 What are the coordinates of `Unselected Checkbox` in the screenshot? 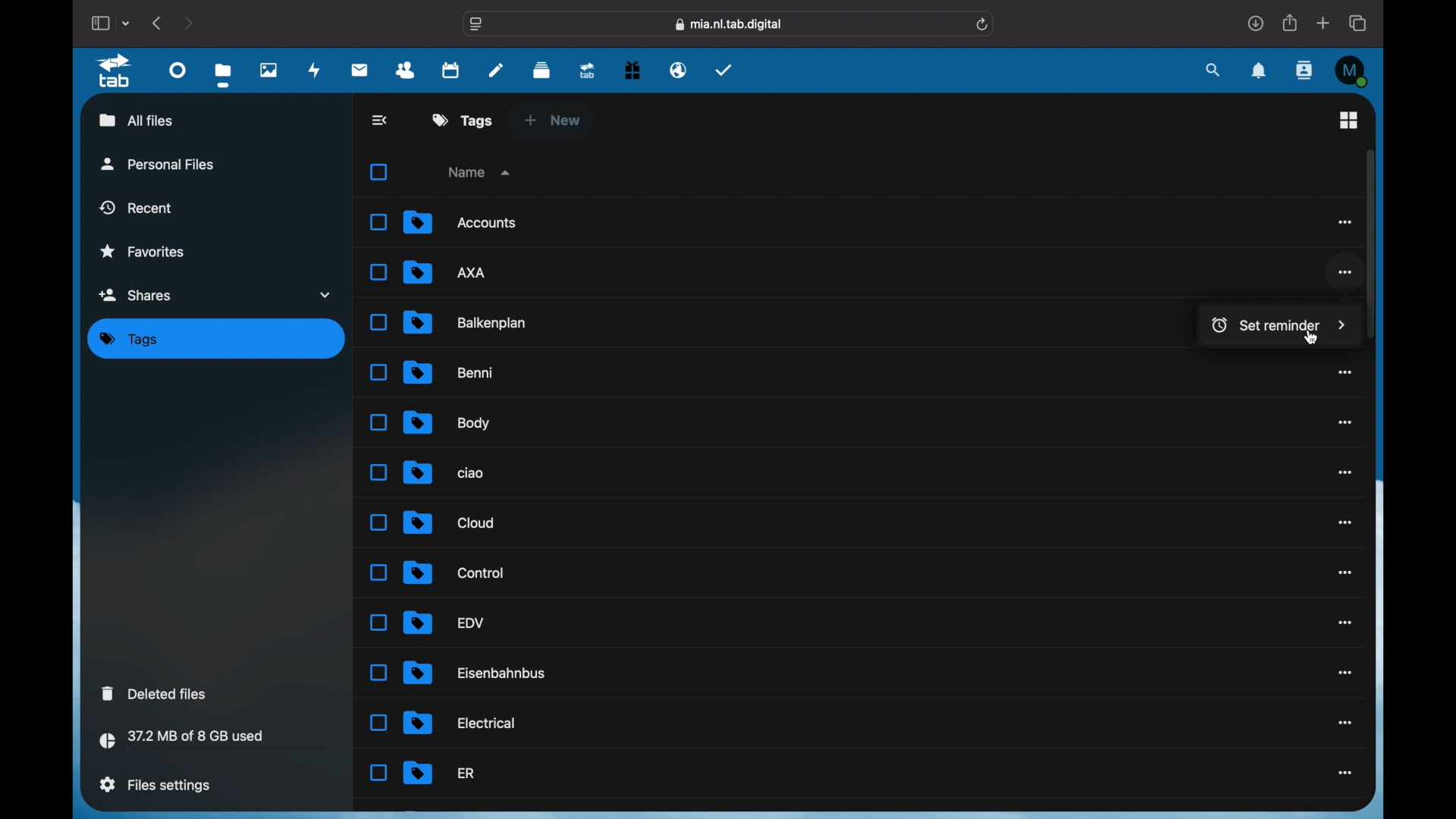 It's located at (378, 723).